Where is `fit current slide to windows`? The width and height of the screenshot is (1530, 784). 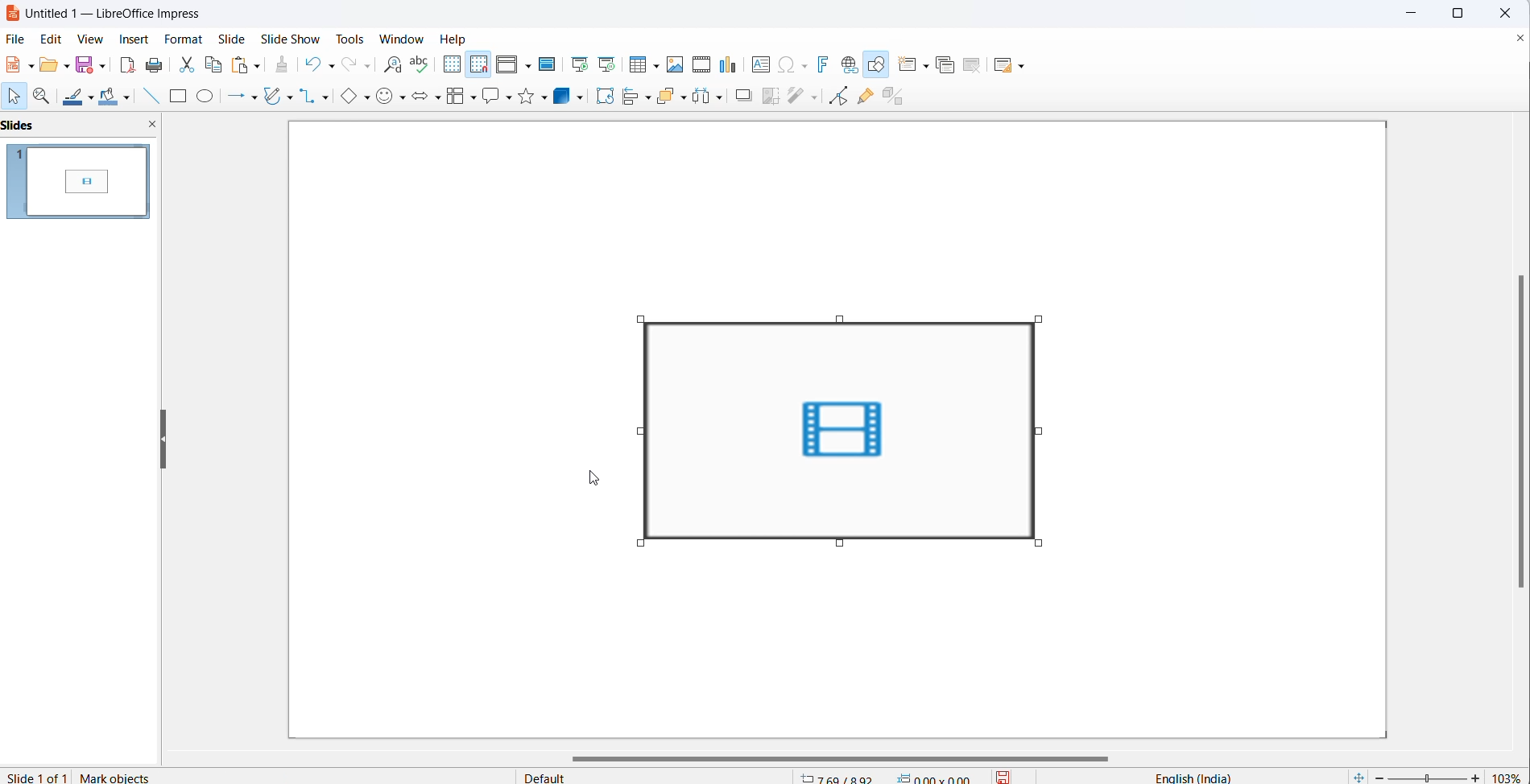
fit current slide to windows is located at coordinates (1357, 776).